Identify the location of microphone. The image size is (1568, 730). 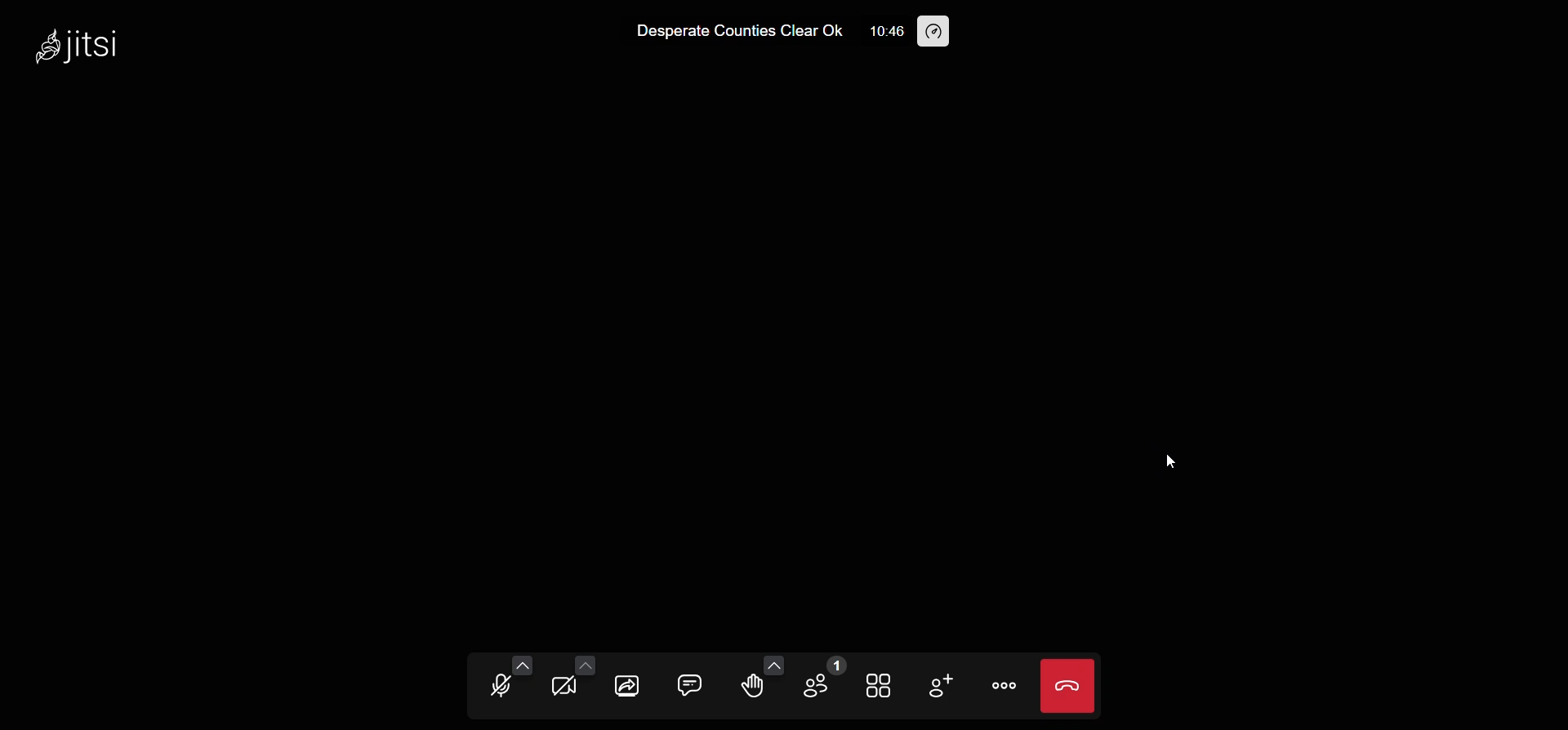
(490, 689).